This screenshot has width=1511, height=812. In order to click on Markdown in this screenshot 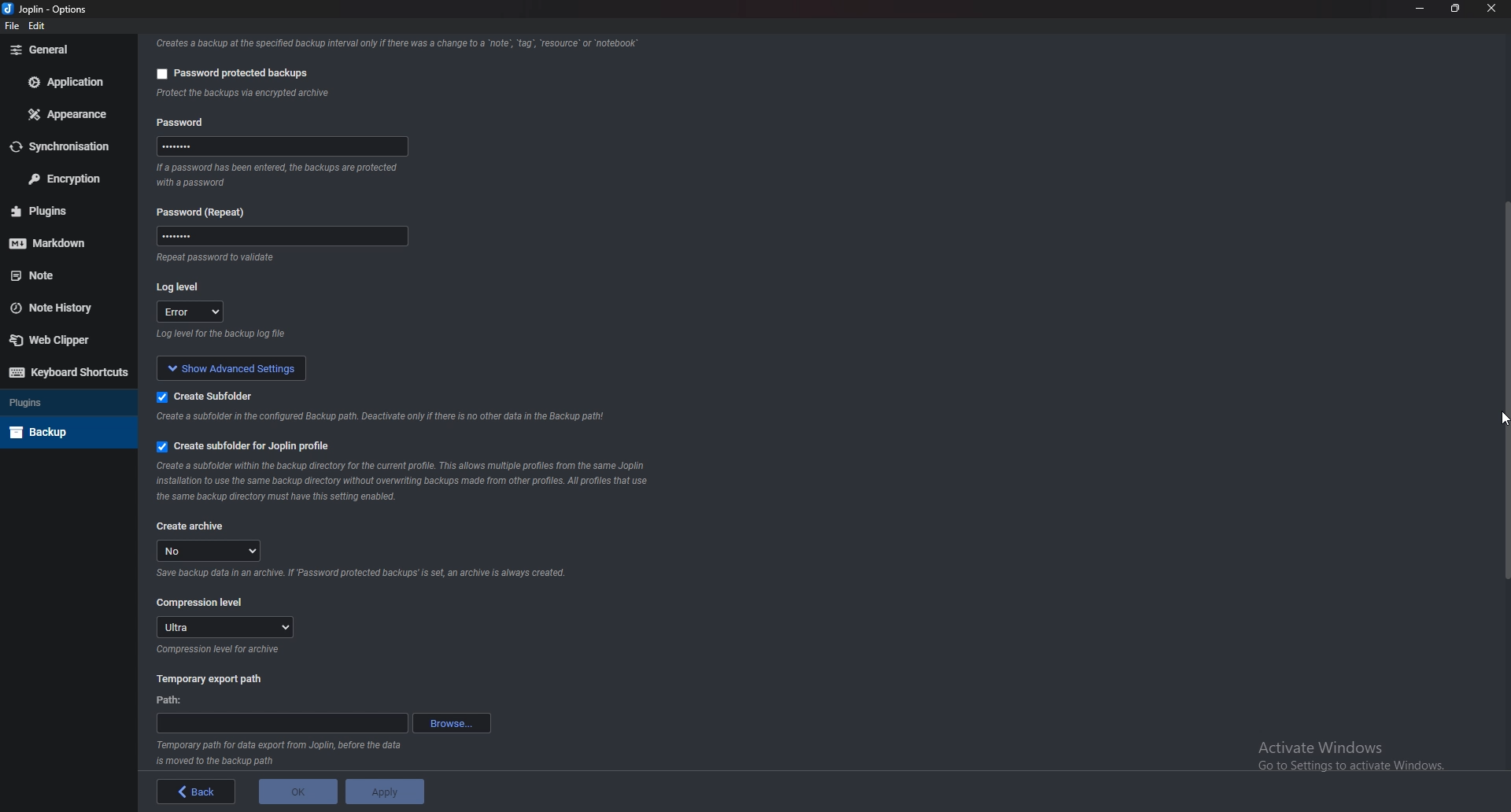, I will do `click(67, 241)`.